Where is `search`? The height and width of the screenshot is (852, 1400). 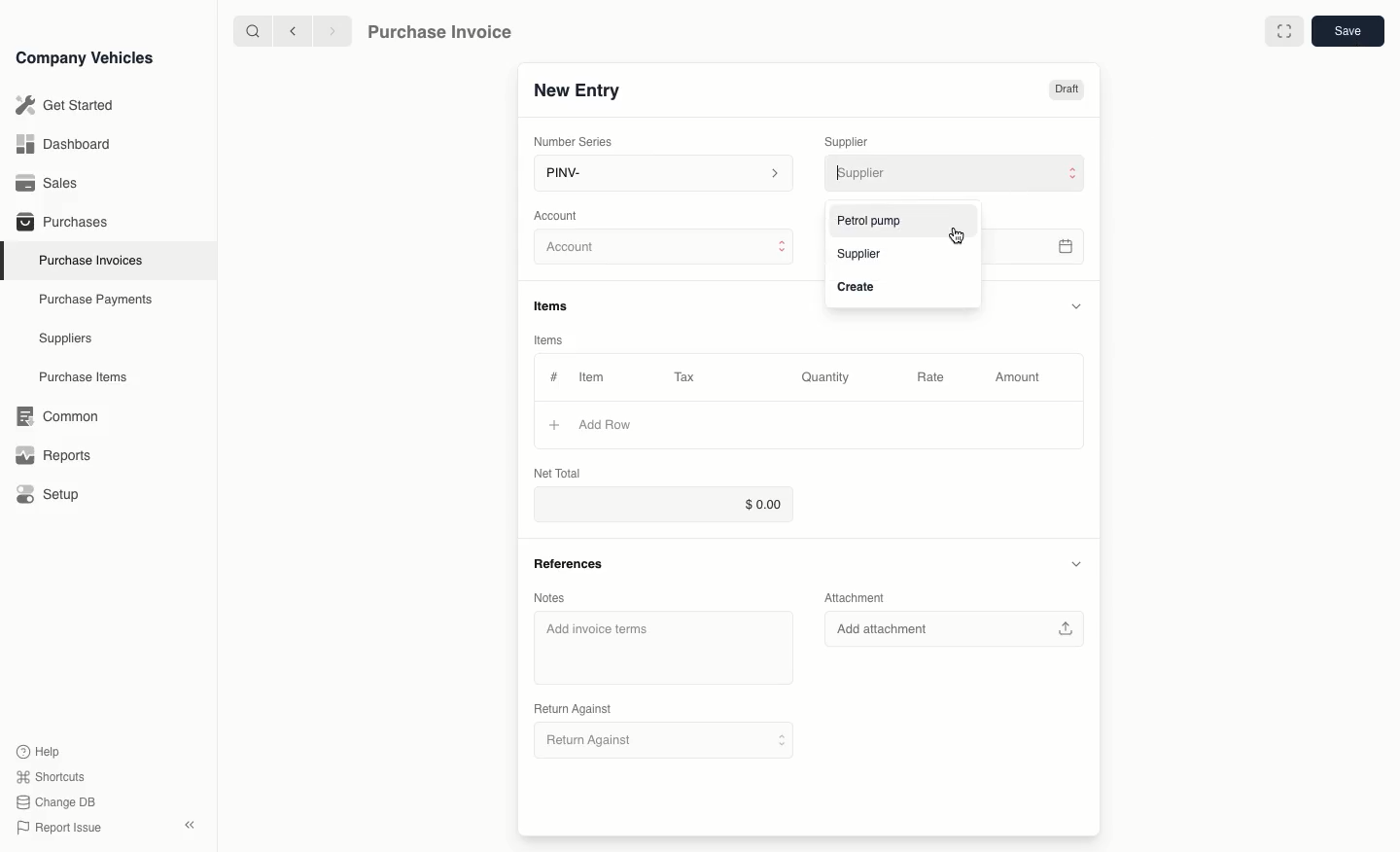 search is located at coordinates (254, 30).